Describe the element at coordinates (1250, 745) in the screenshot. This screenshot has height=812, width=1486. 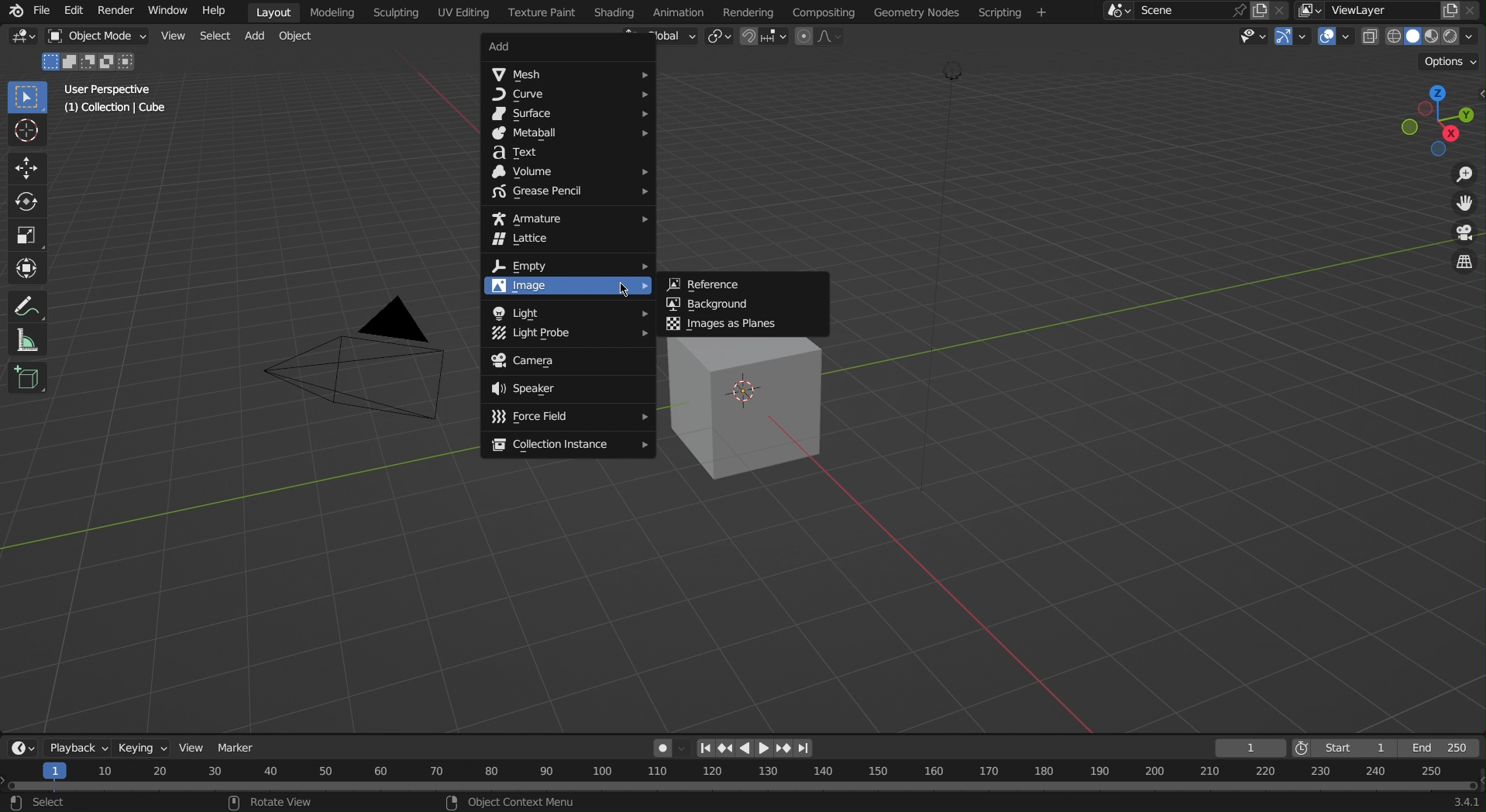
I see `1` at that location.